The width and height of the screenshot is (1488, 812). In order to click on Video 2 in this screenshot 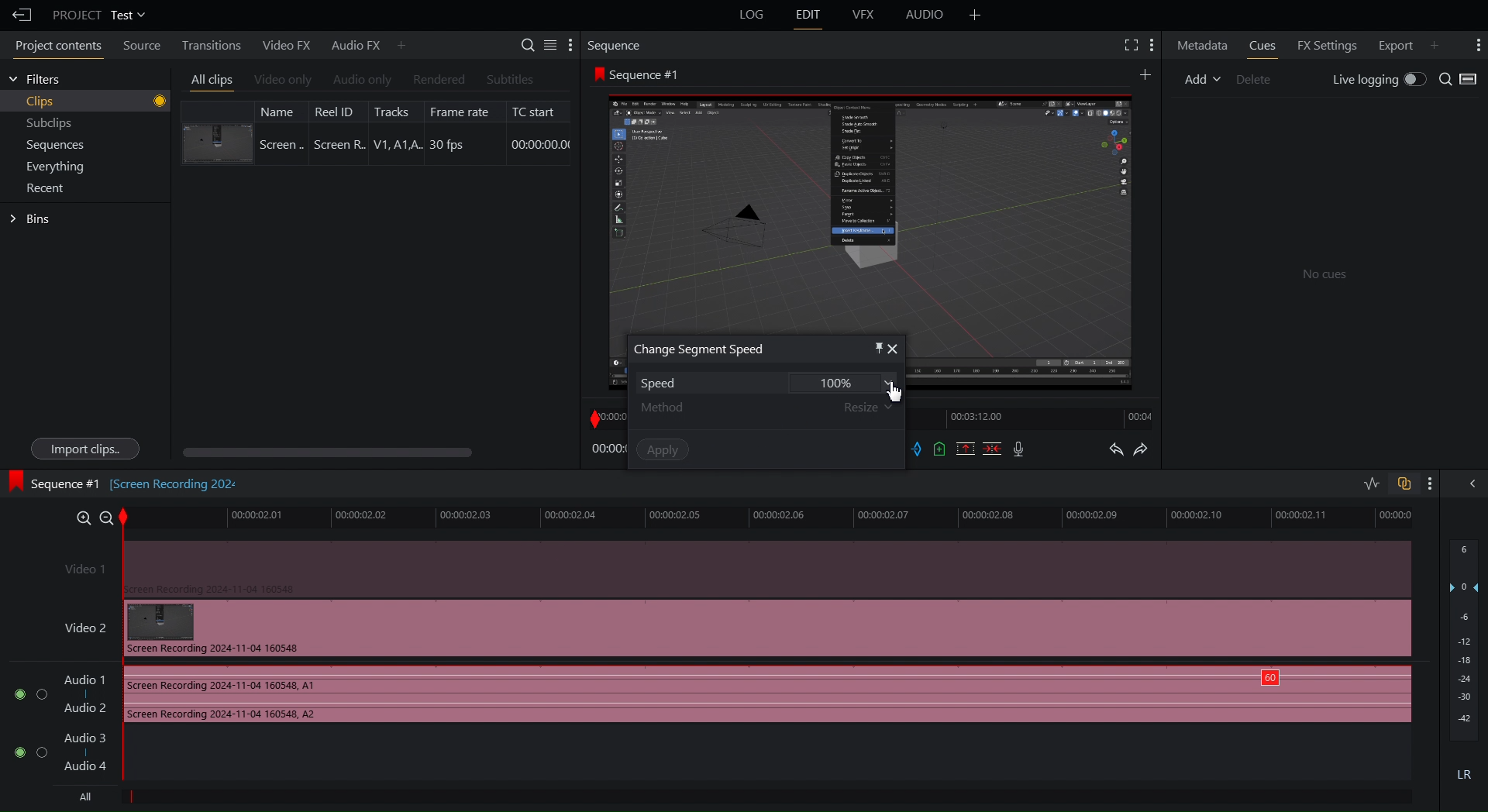, I will do `click(728, 628)`.